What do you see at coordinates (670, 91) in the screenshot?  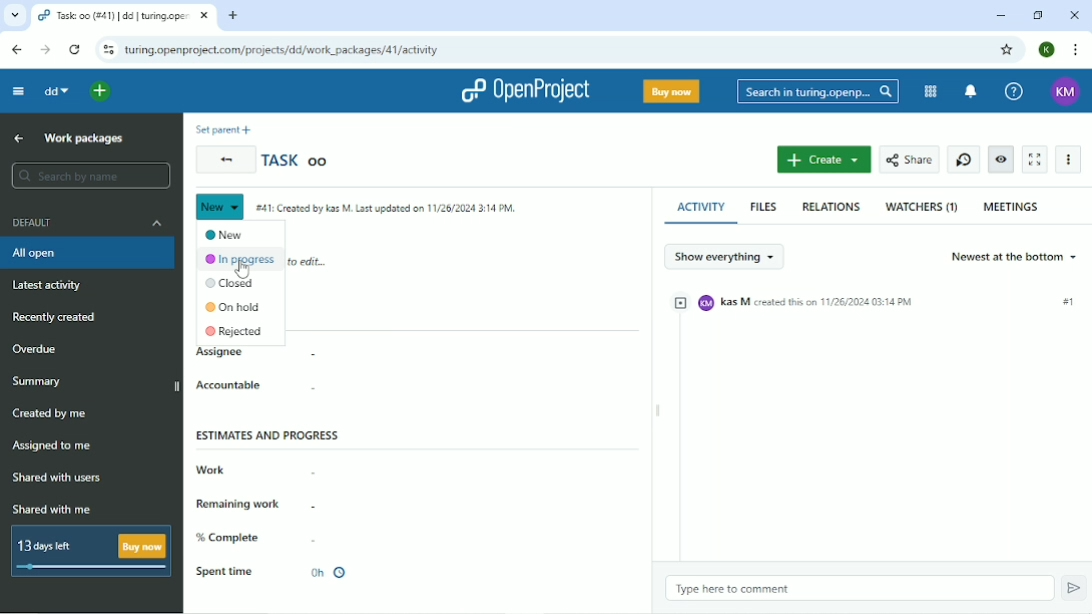 I see `Buy now` at bounding box center [670, 91].